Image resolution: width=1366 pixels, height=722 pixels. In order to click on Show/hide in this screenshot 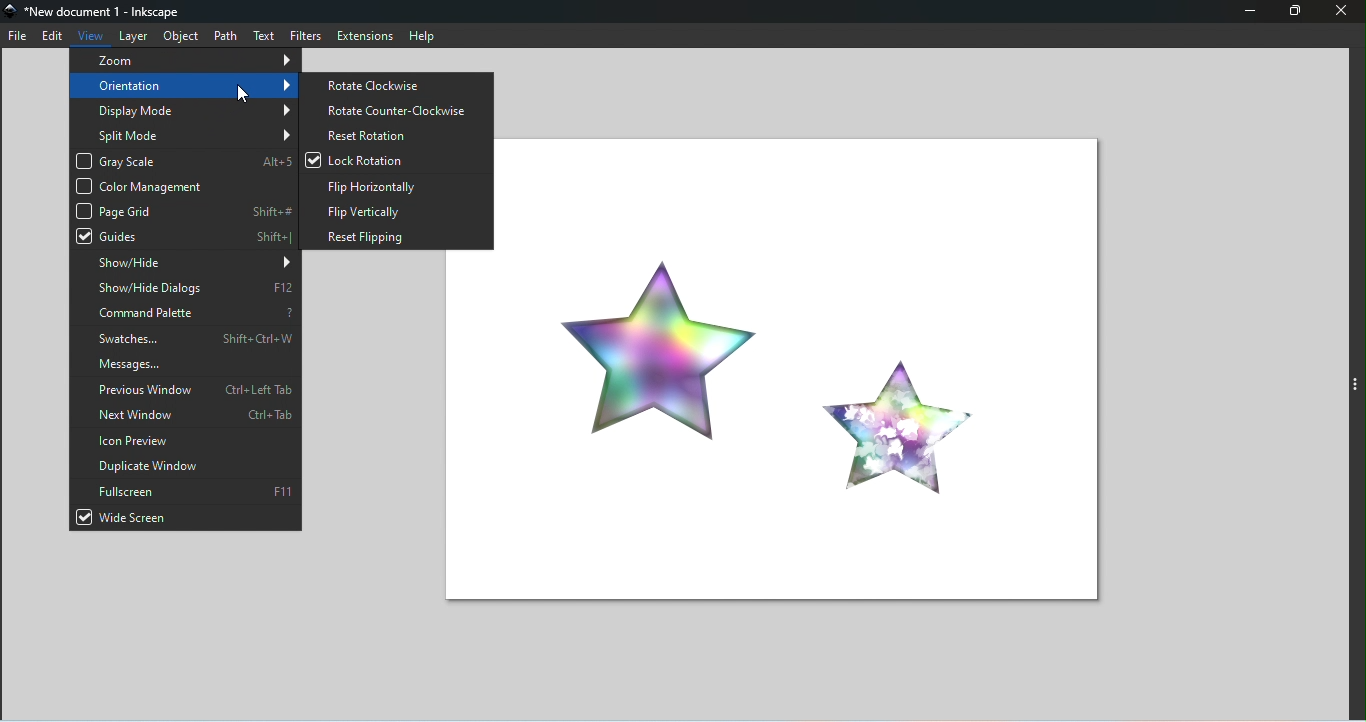, I will do `click(184, 265)`.